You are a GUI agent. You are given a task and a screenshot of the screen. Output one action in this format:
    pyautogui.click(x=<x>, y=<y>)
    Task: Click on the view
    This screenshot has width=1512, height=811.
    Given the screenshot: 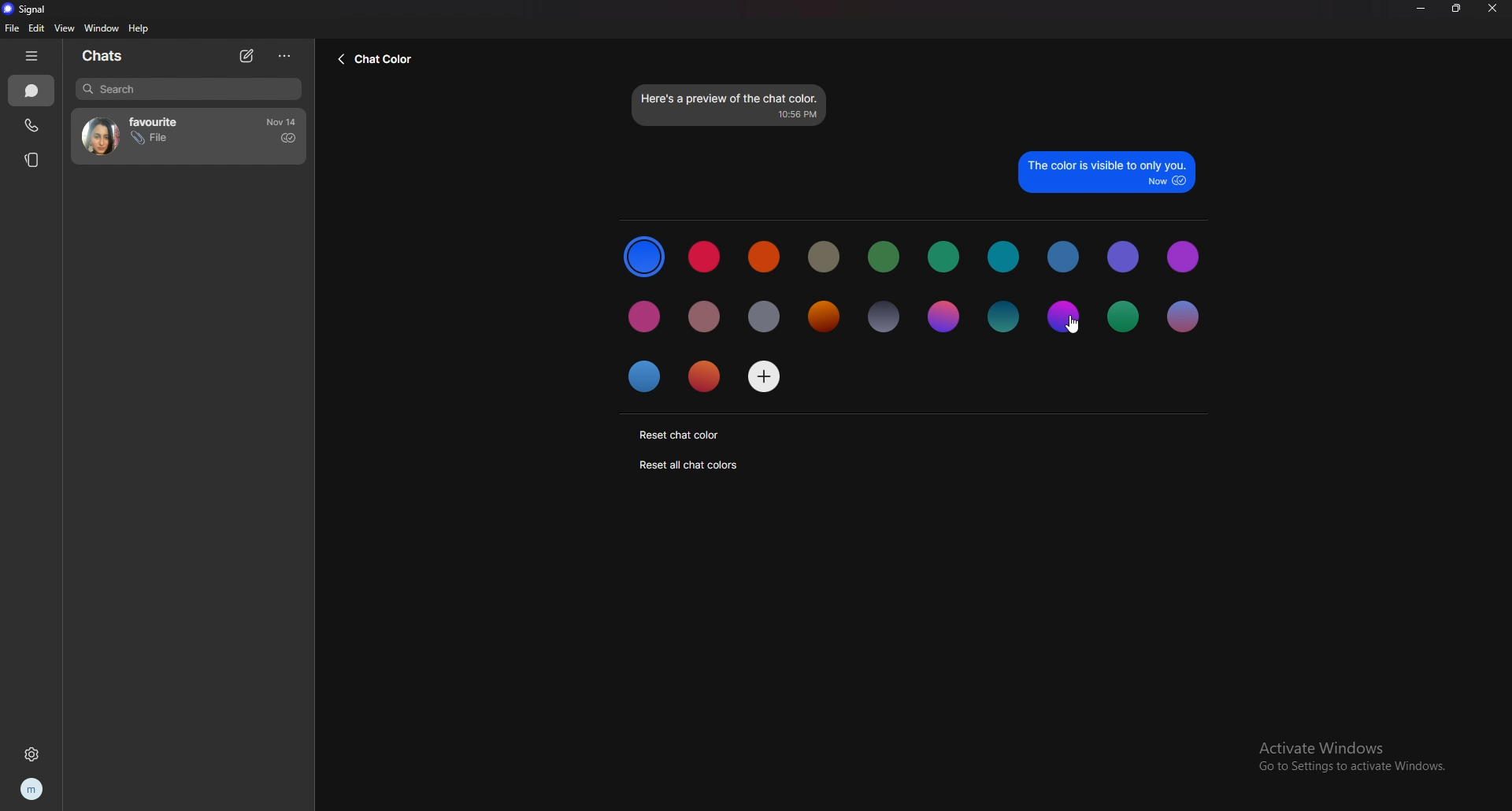 What is the action you would take?
    pyautogui.click(x=64, y=28)
    